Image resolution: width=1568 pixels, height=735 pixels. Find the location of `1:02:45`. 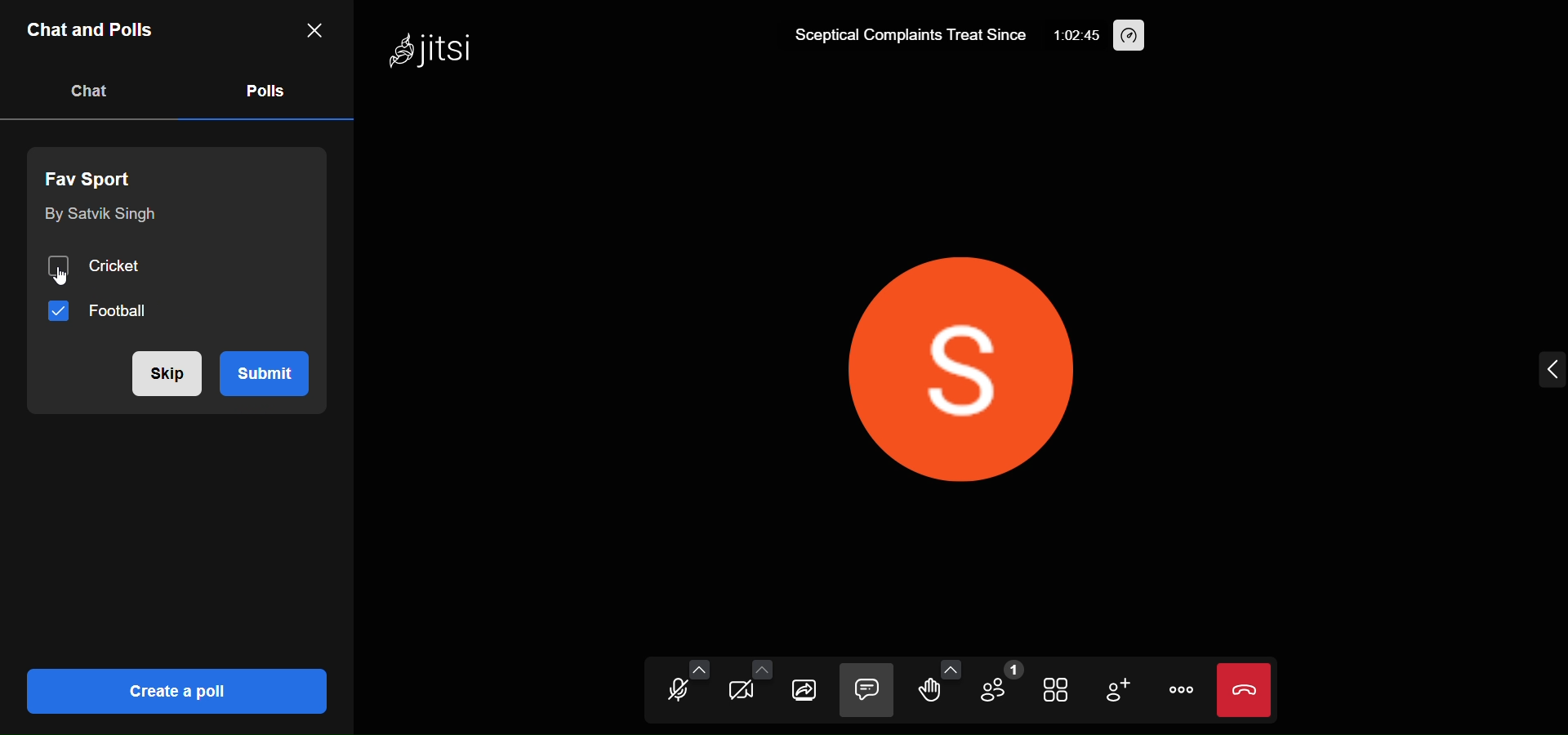

1:02:45 is located at coordinates (1073, 38).